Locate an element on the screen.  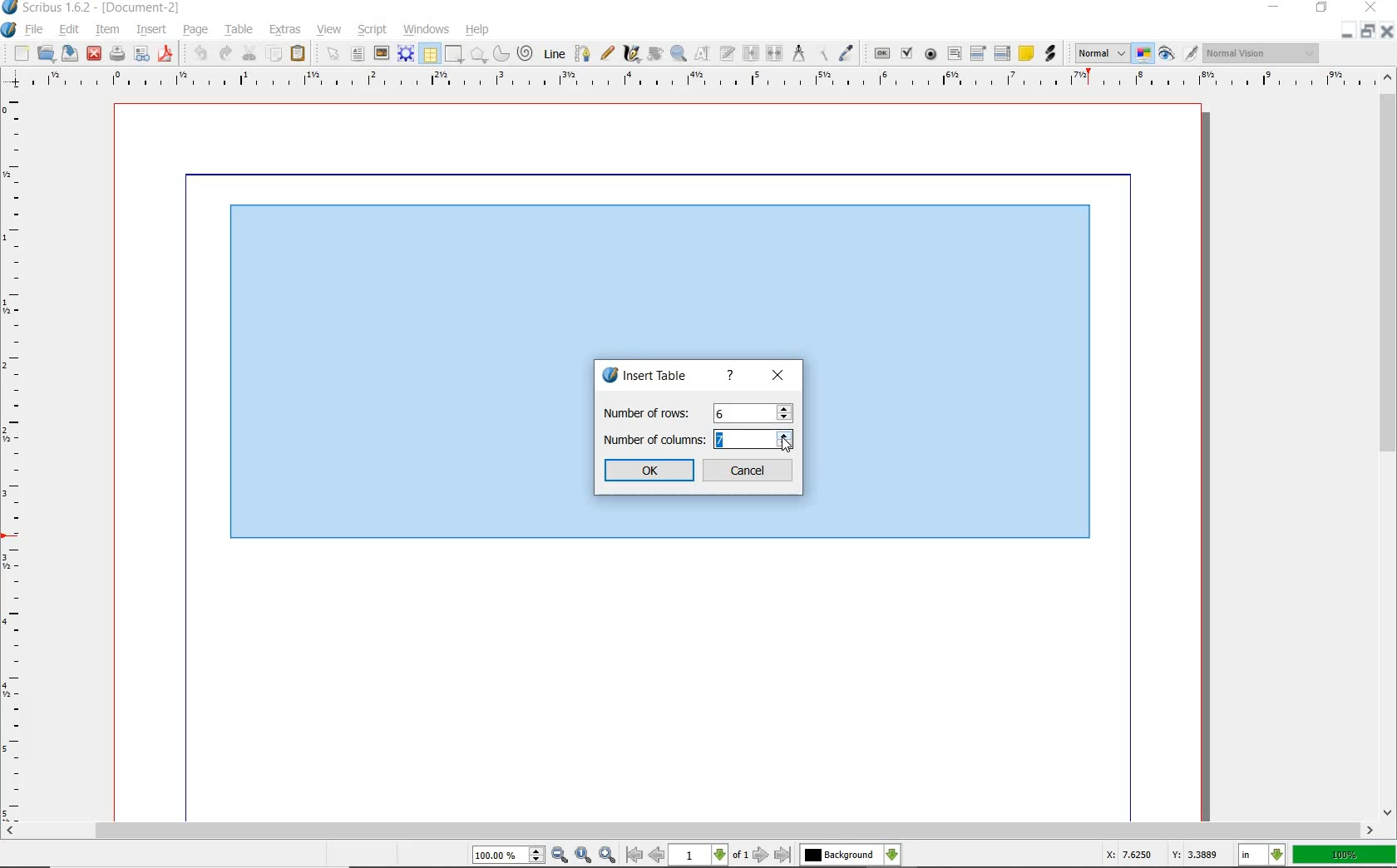
pdf combo box is located at coordinates (979, 53).